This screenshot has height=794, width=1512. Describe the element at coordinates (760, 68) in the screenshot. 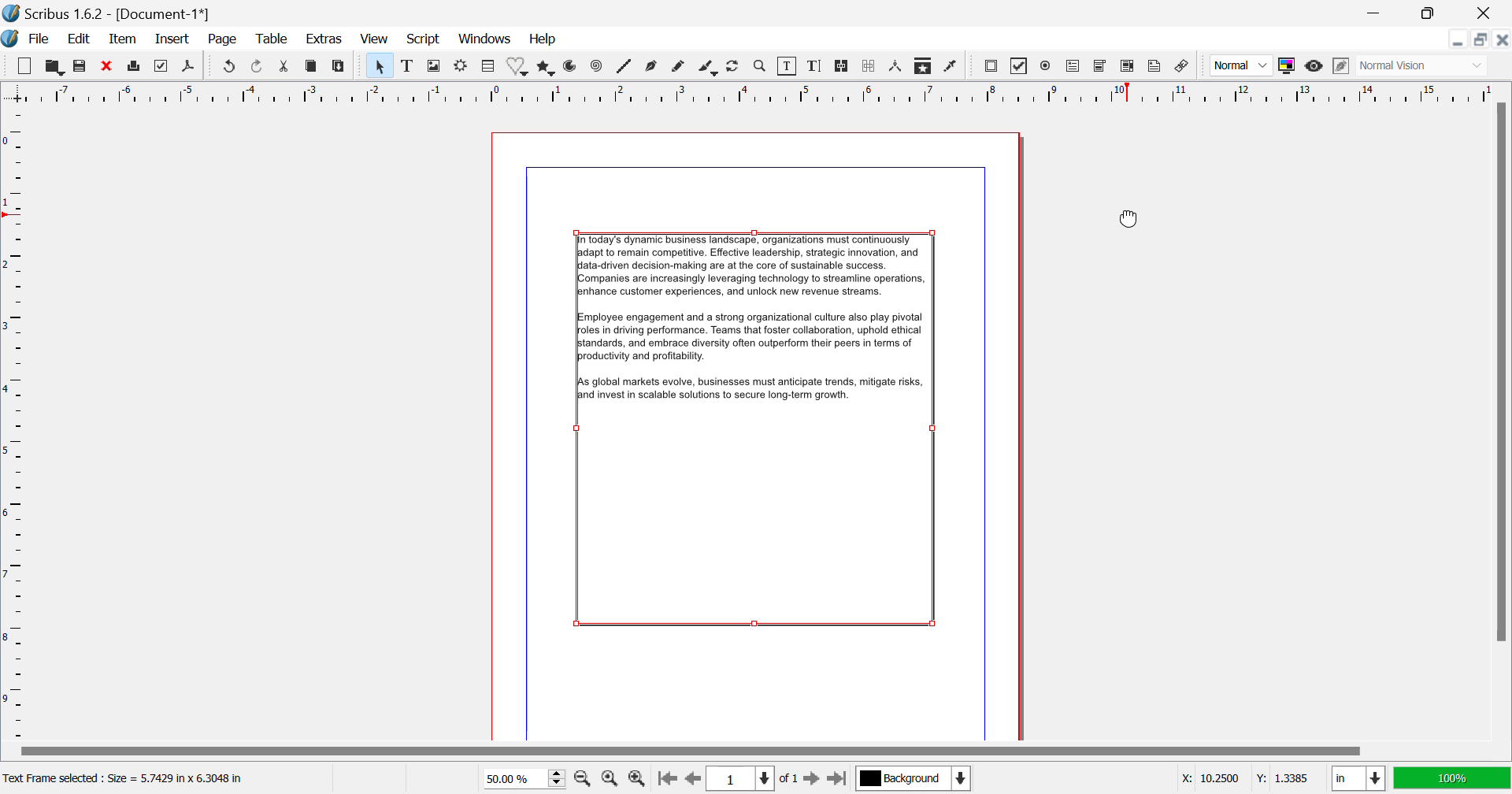

I see `Zoom` at that location.